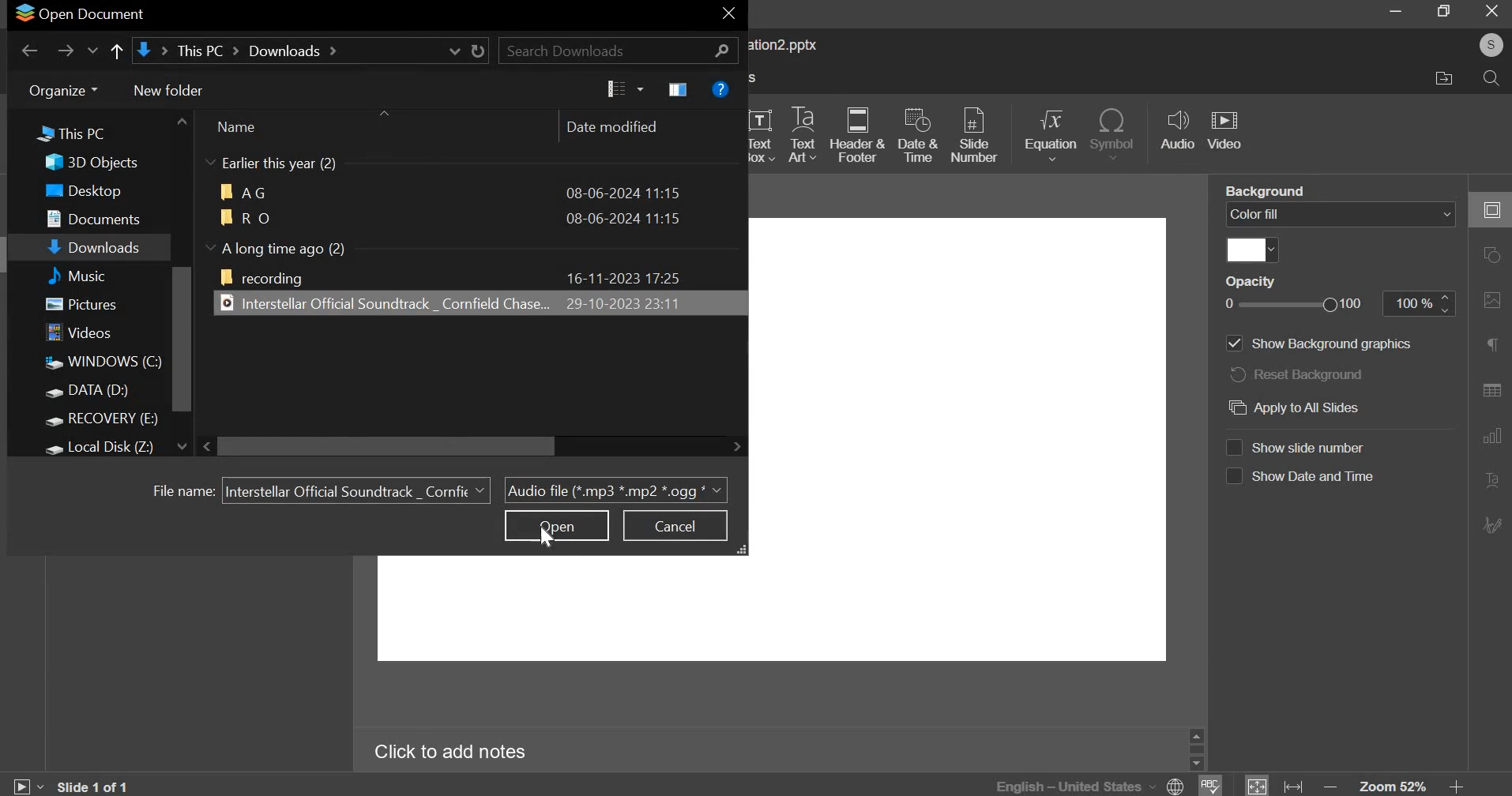 This screenshot has height=796, width=1512. I want to click on expand view, so click(743, 550).